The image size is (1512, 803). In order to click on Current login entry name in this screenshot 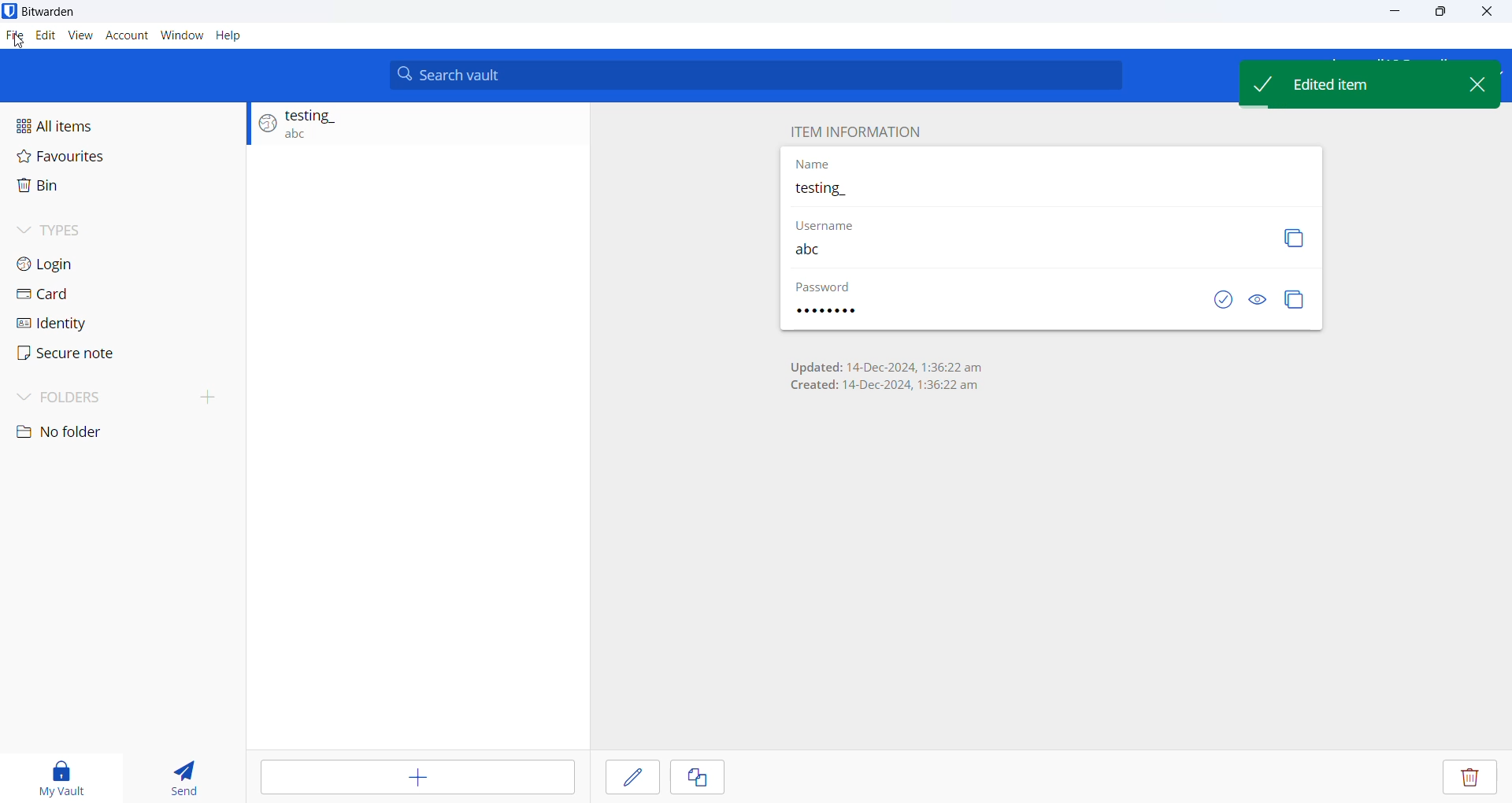, I will do `click(1051, 191)`.